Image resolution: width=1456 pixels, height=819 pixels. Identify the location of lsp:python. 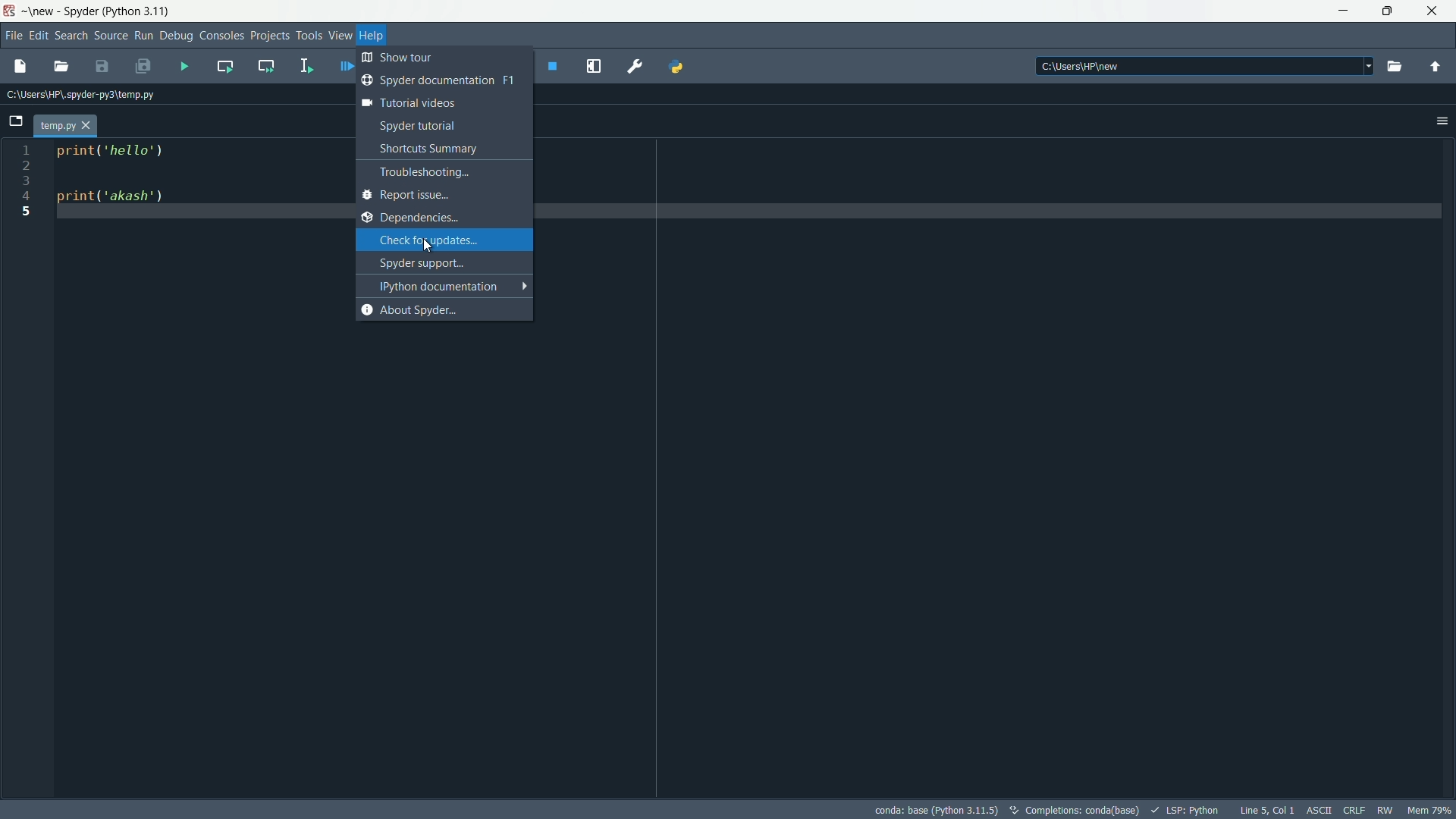
(1187, 810).